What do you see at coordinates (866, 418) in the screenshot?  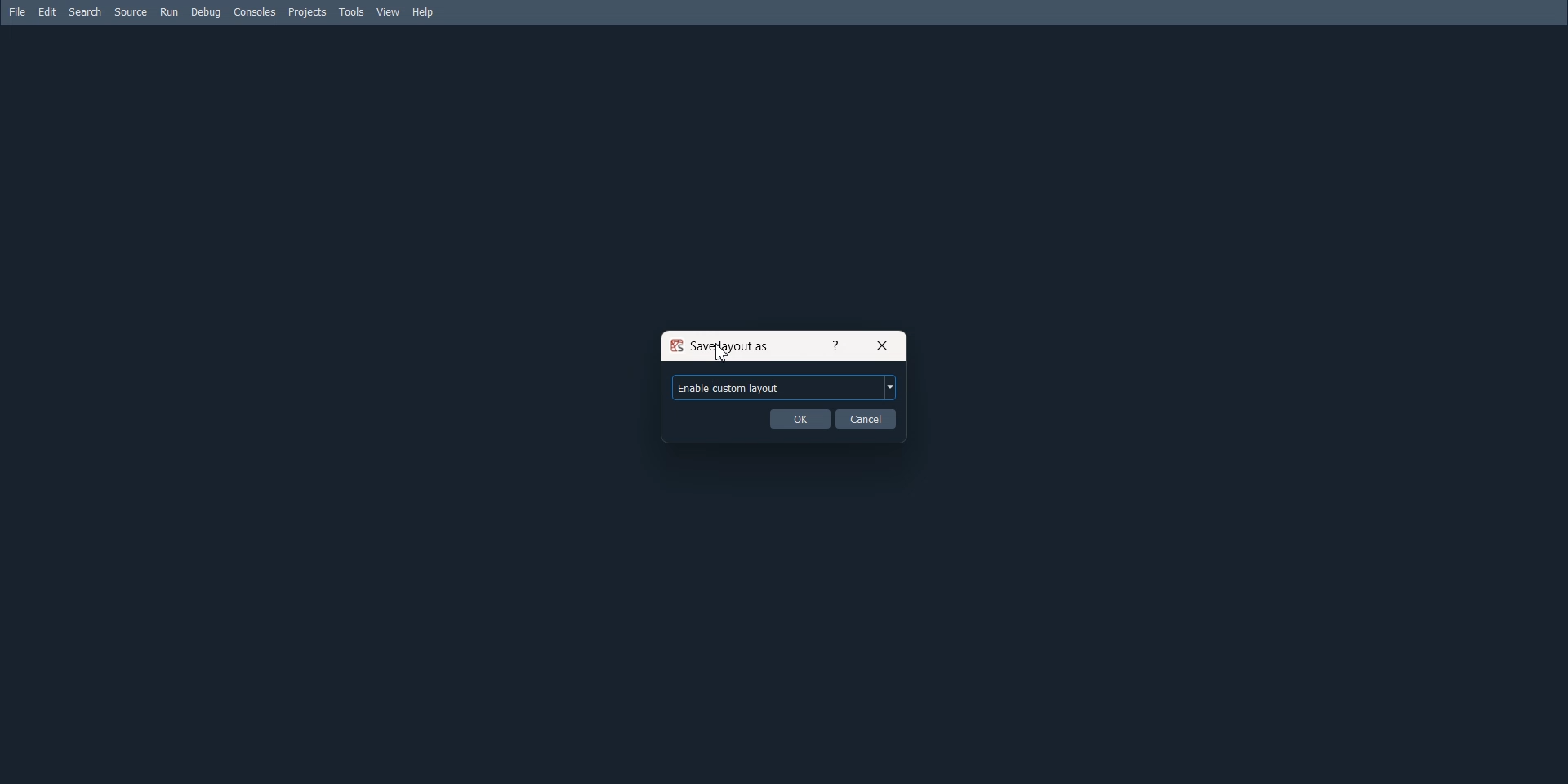 I see `Cancel` at bounding box center [866, 418].